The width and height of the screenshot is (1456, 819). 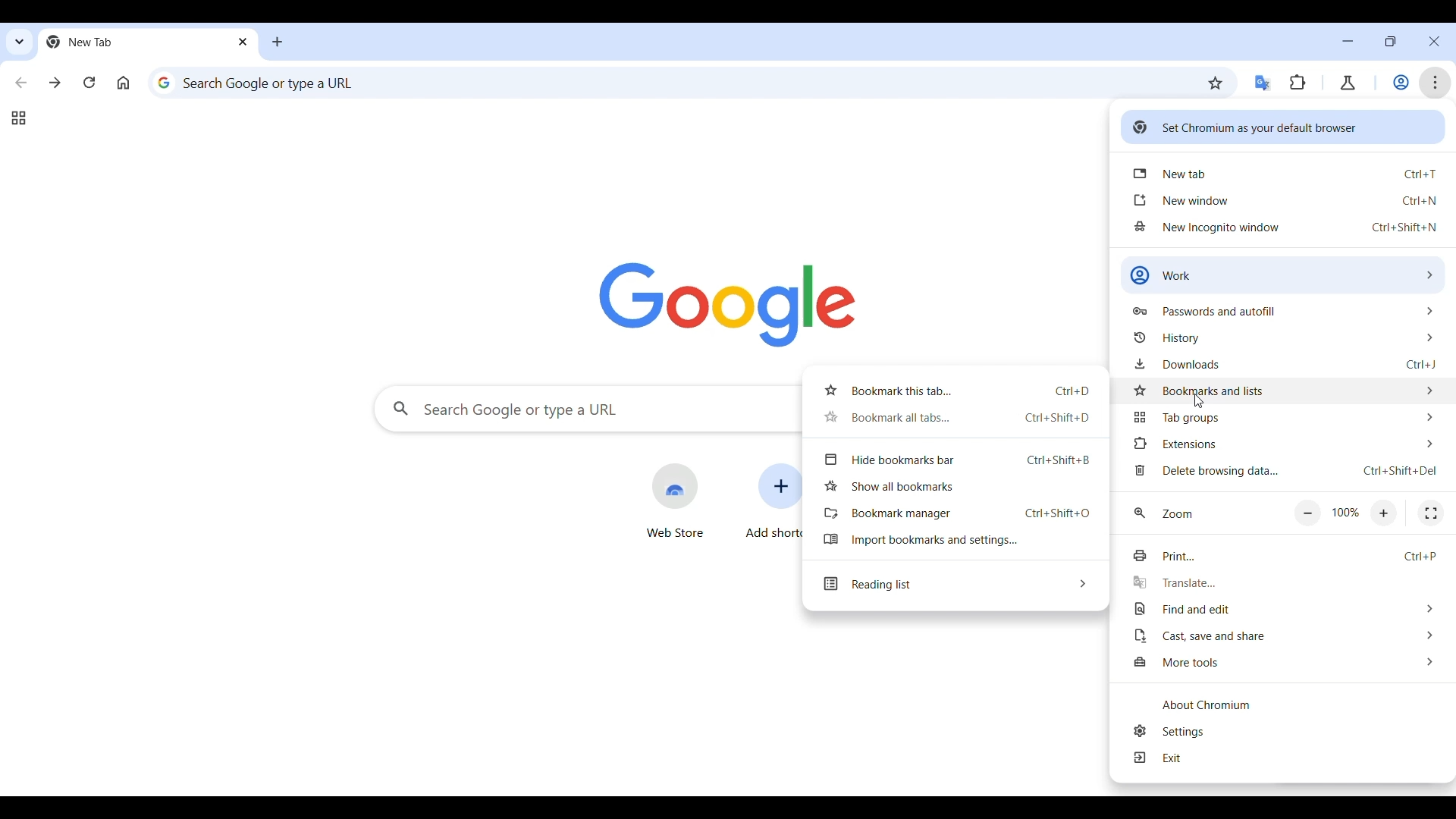 What do you see at coordinates (1287, 731) in the screenshot?
I see `Settings` at bounding box center [1287, 731].